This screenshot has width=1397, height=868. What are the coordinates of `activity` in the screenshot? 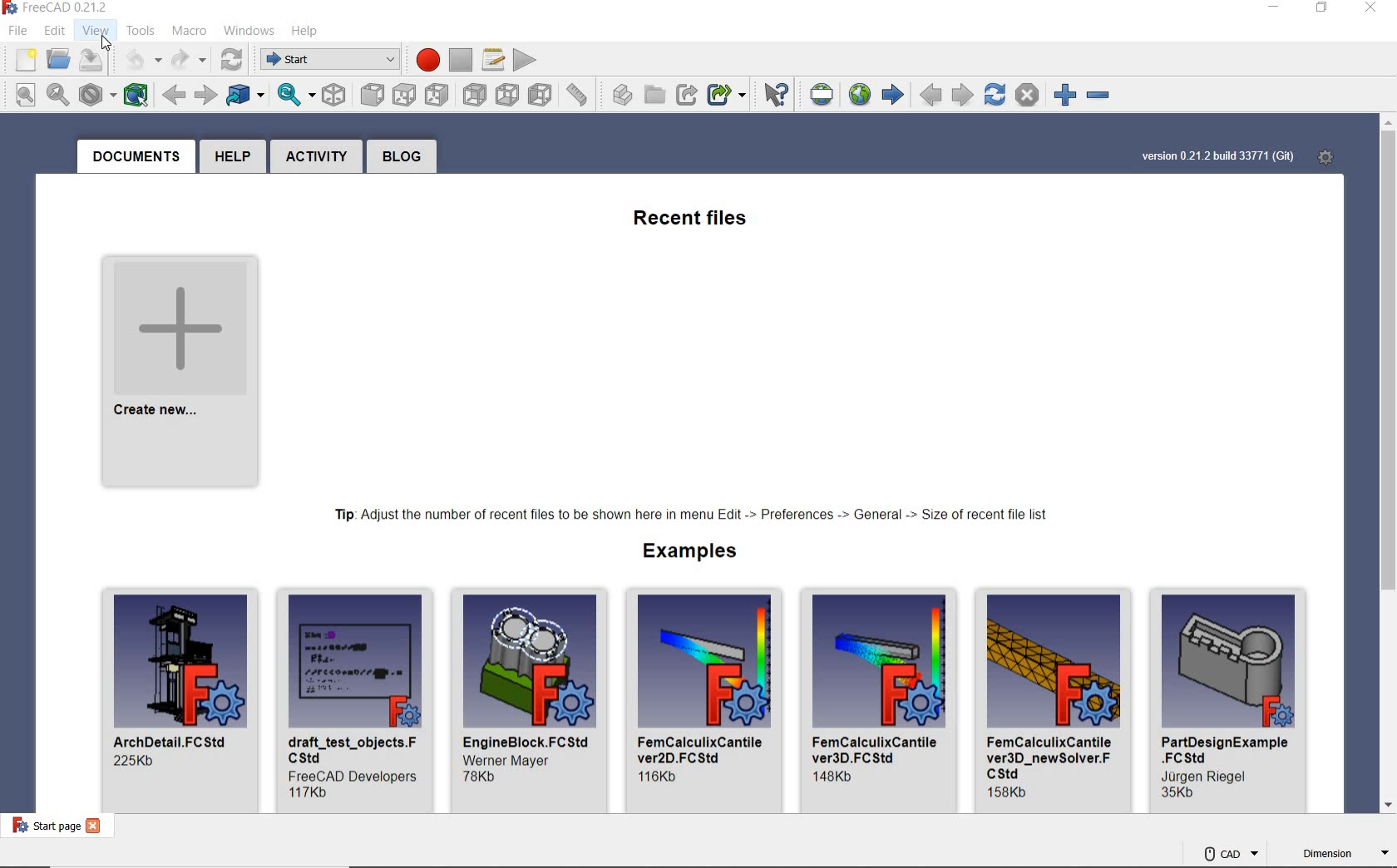 It's located at (318, 157).